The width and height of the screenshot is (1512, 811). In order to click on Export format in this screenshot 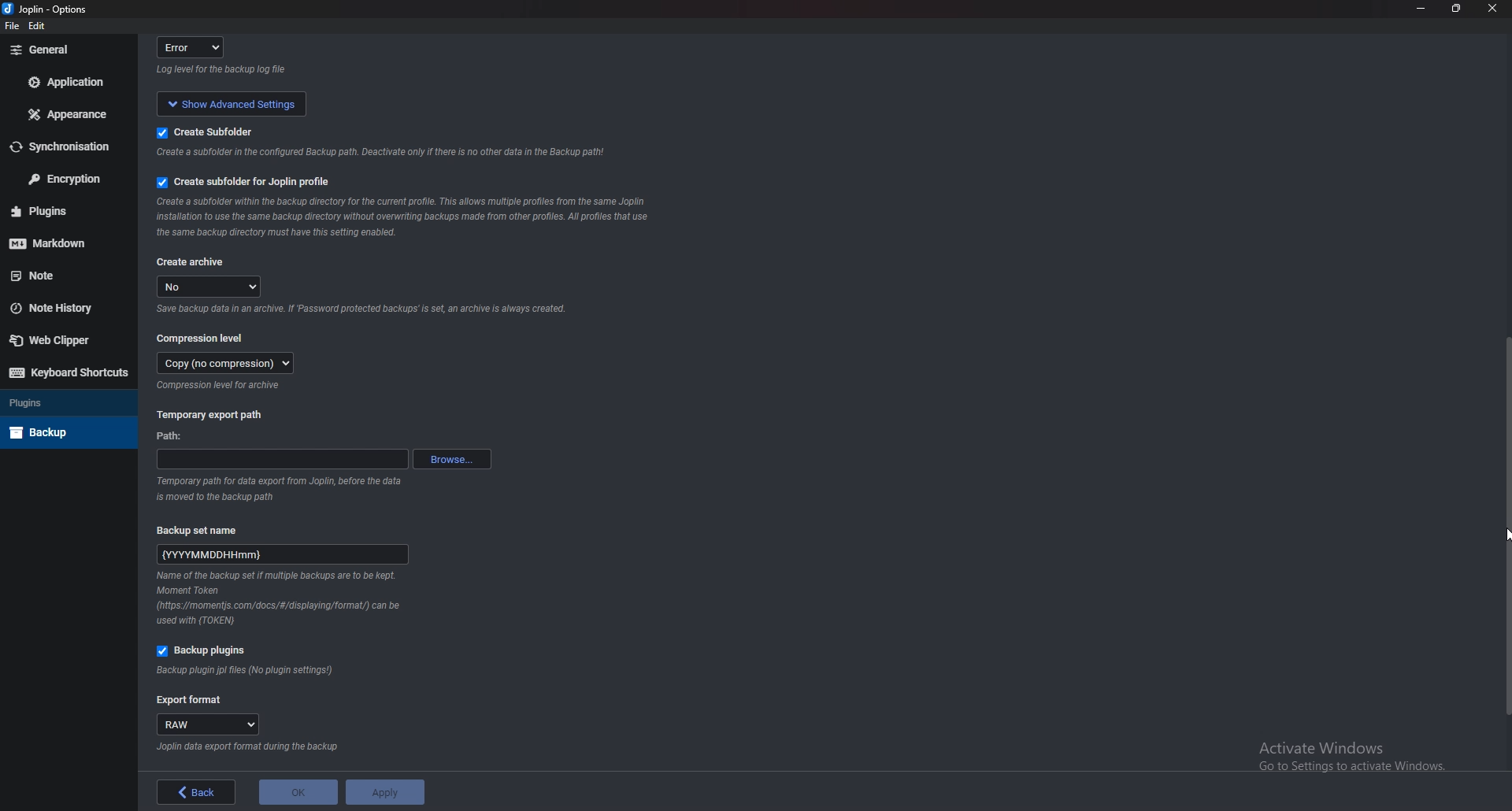, I will do `click(190, 701)`.